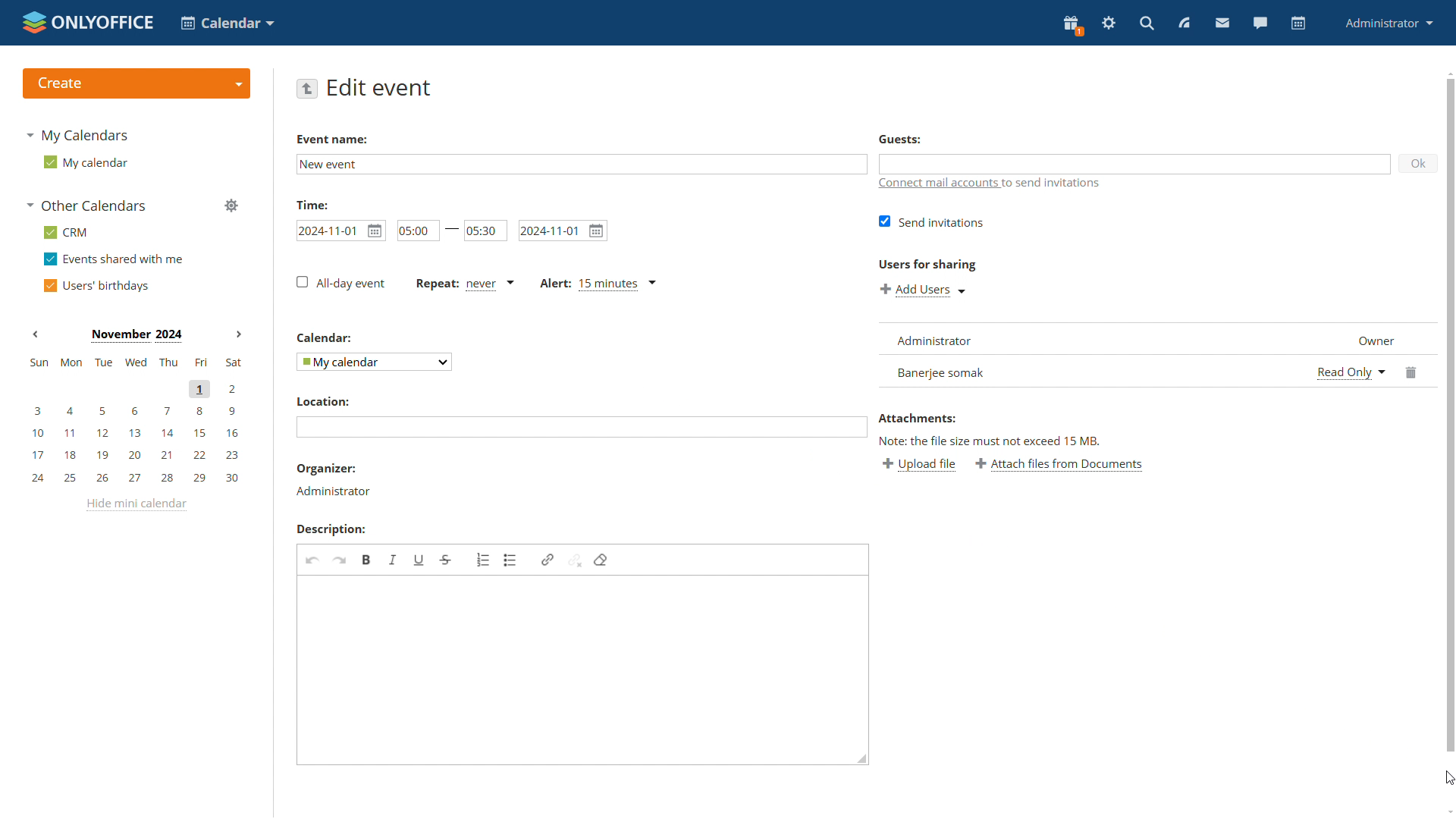 The image size is (1456, 819). I want to click on search, so click(1146, 24).